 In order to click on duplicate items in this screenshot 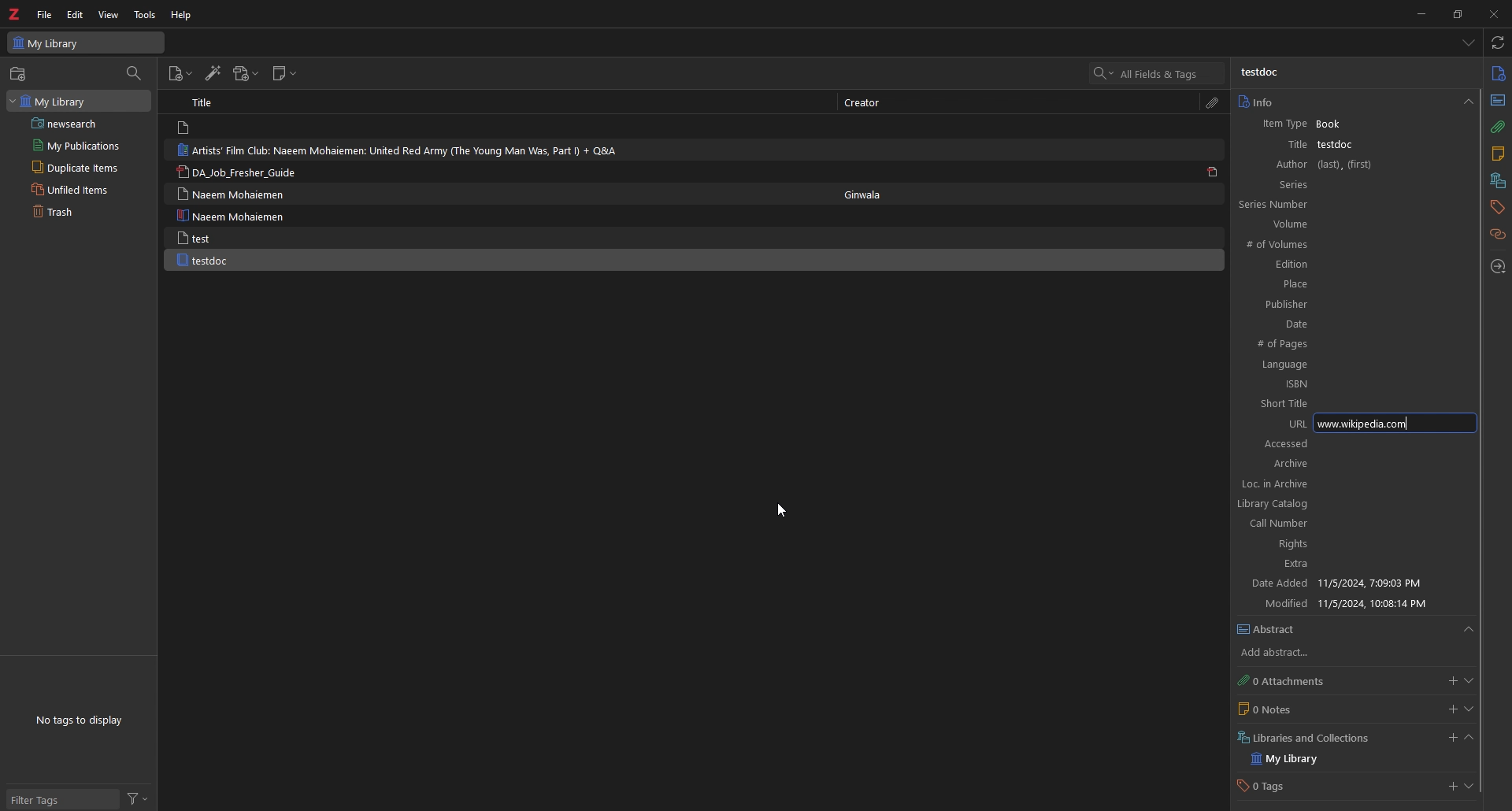, I will do `click(76, 167)`.